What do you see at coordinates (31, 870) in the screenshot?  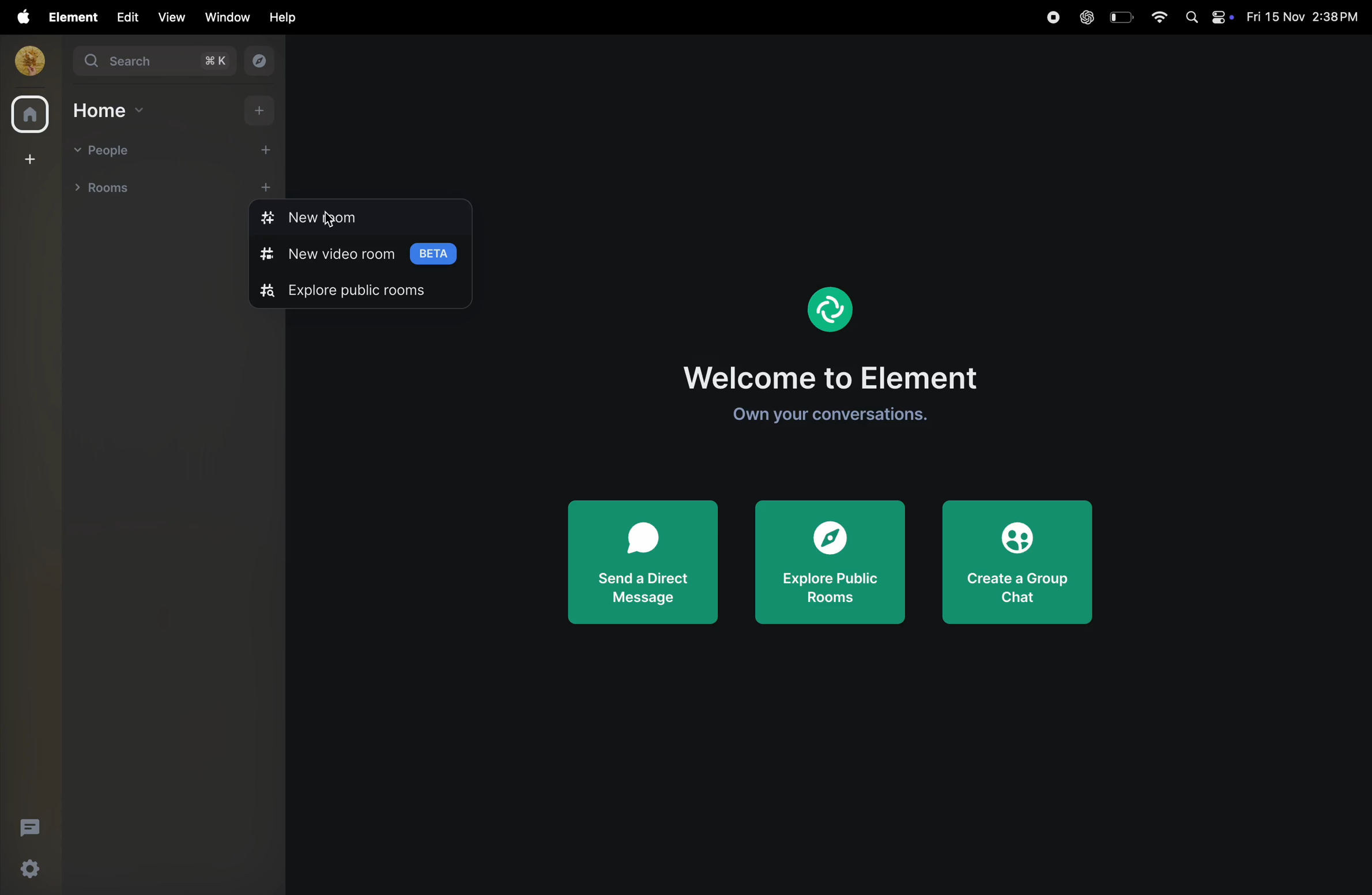 I see `settings` at bounding box center [31, 870].